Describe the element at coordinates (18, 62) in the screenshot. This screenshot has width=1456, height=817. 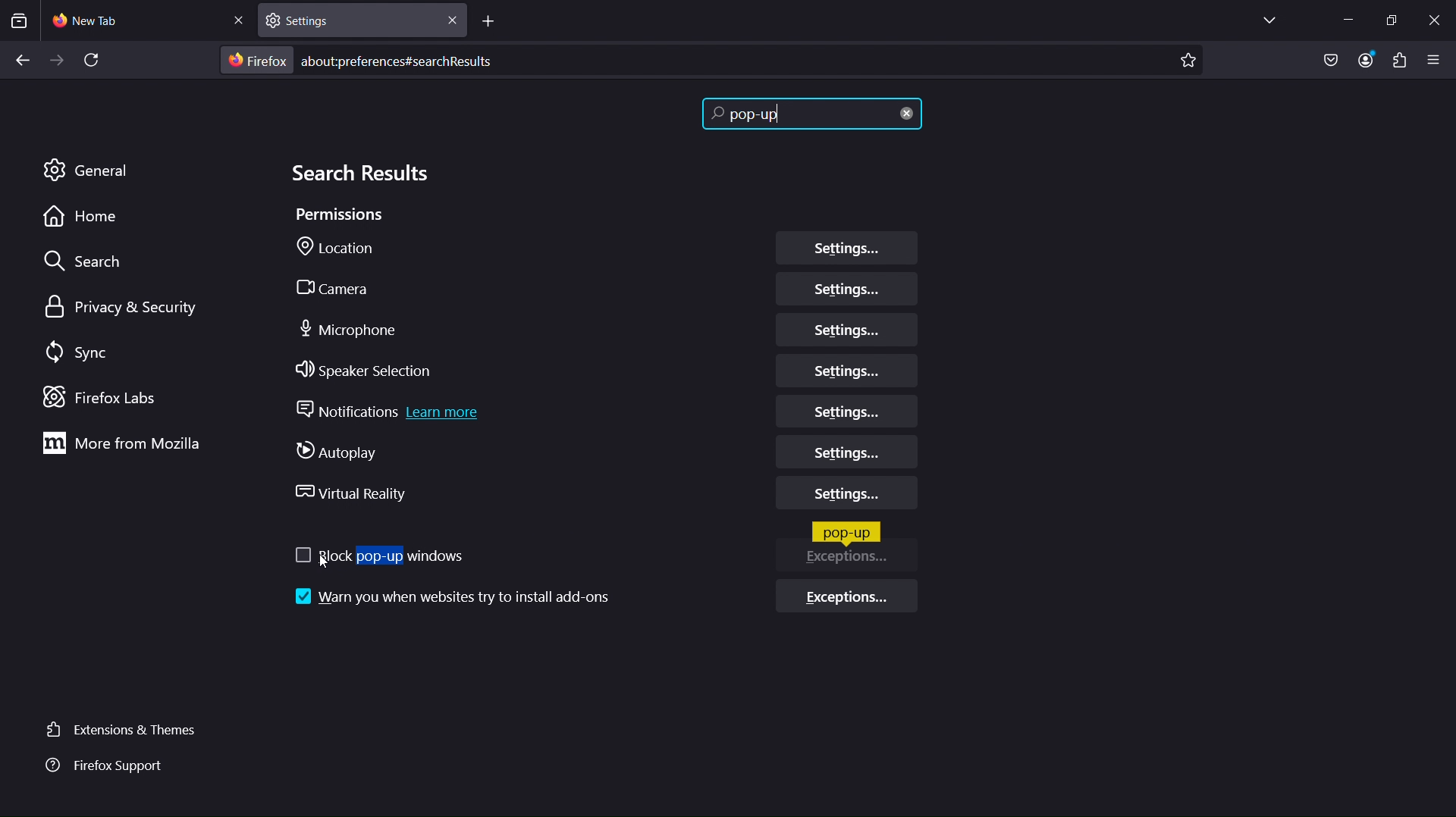
I see `Back` at that location.